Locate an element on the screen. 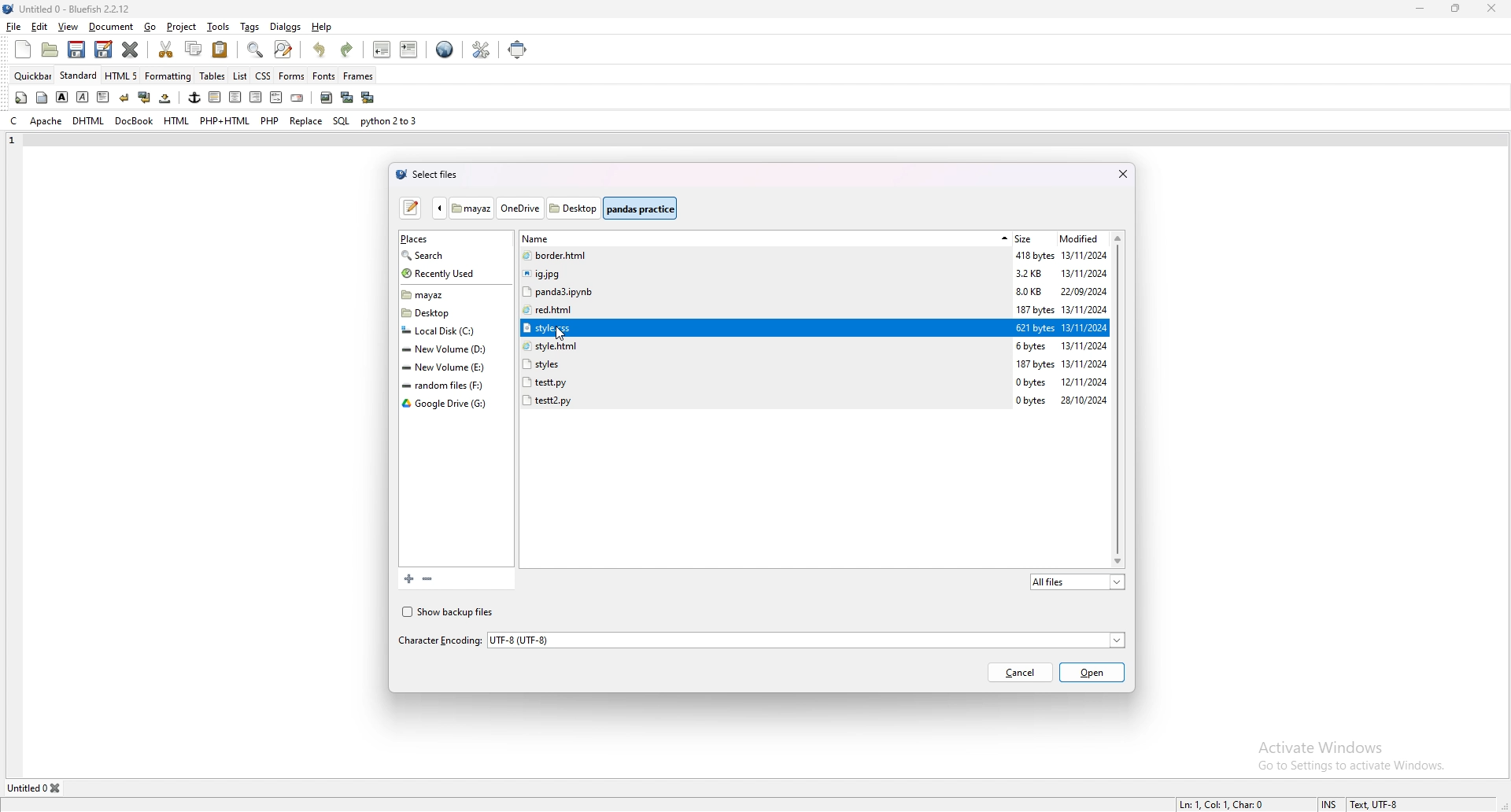 The width and height of the screenshot is (1511, 812). help is located at coordinates (323, 28).